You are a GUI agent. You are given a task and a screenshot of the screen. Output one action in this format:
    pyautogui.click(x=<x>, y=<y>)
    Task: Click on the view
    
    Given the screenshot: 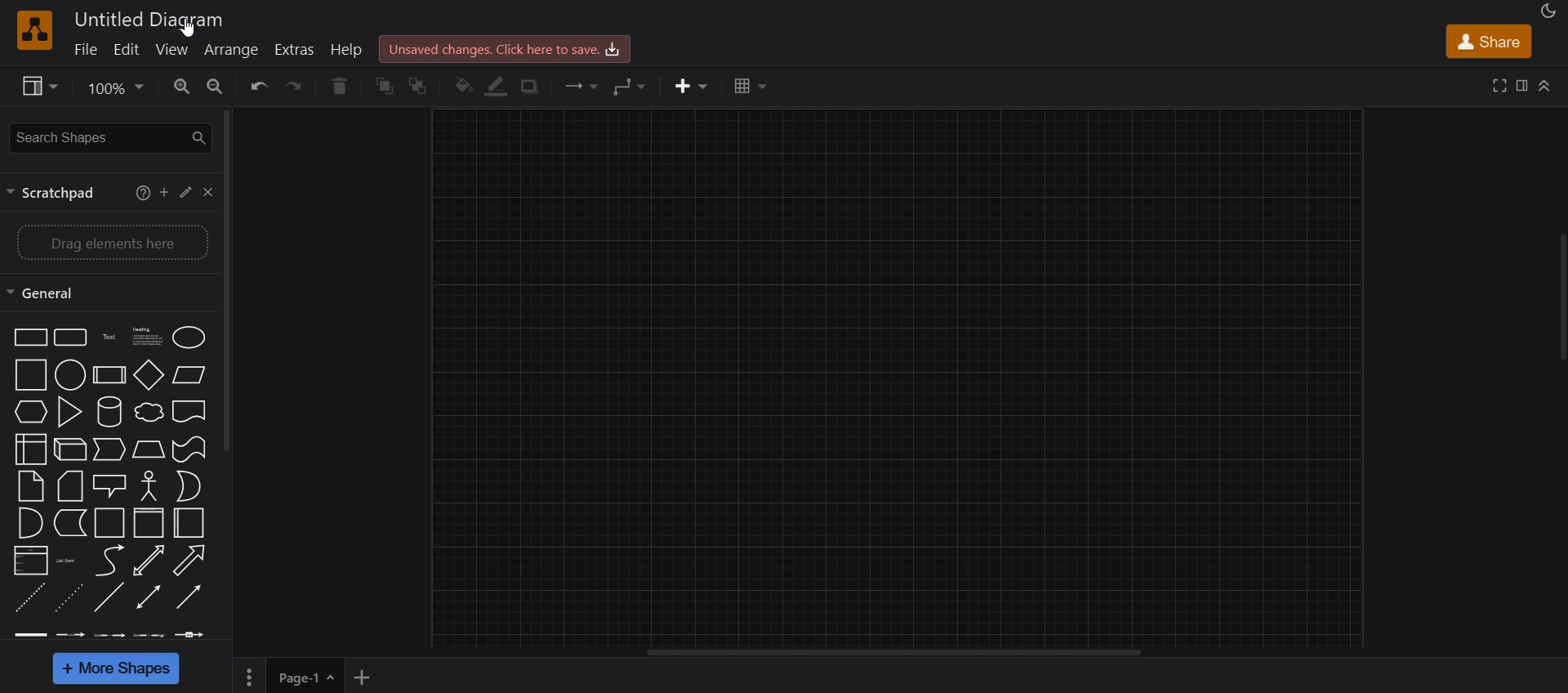 What is the action you would take?
    pyautogui.click(x=35, y=86)
    